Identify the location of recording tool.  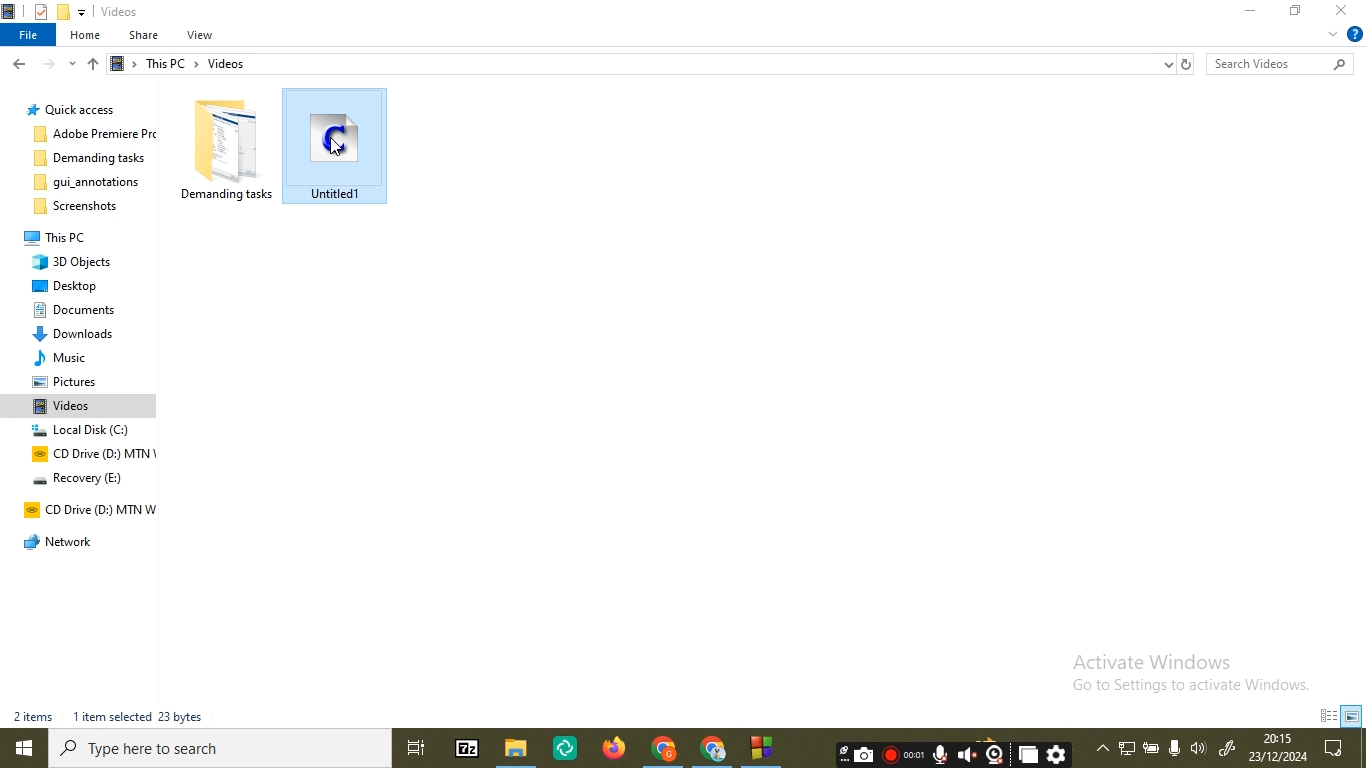
(949, 755).